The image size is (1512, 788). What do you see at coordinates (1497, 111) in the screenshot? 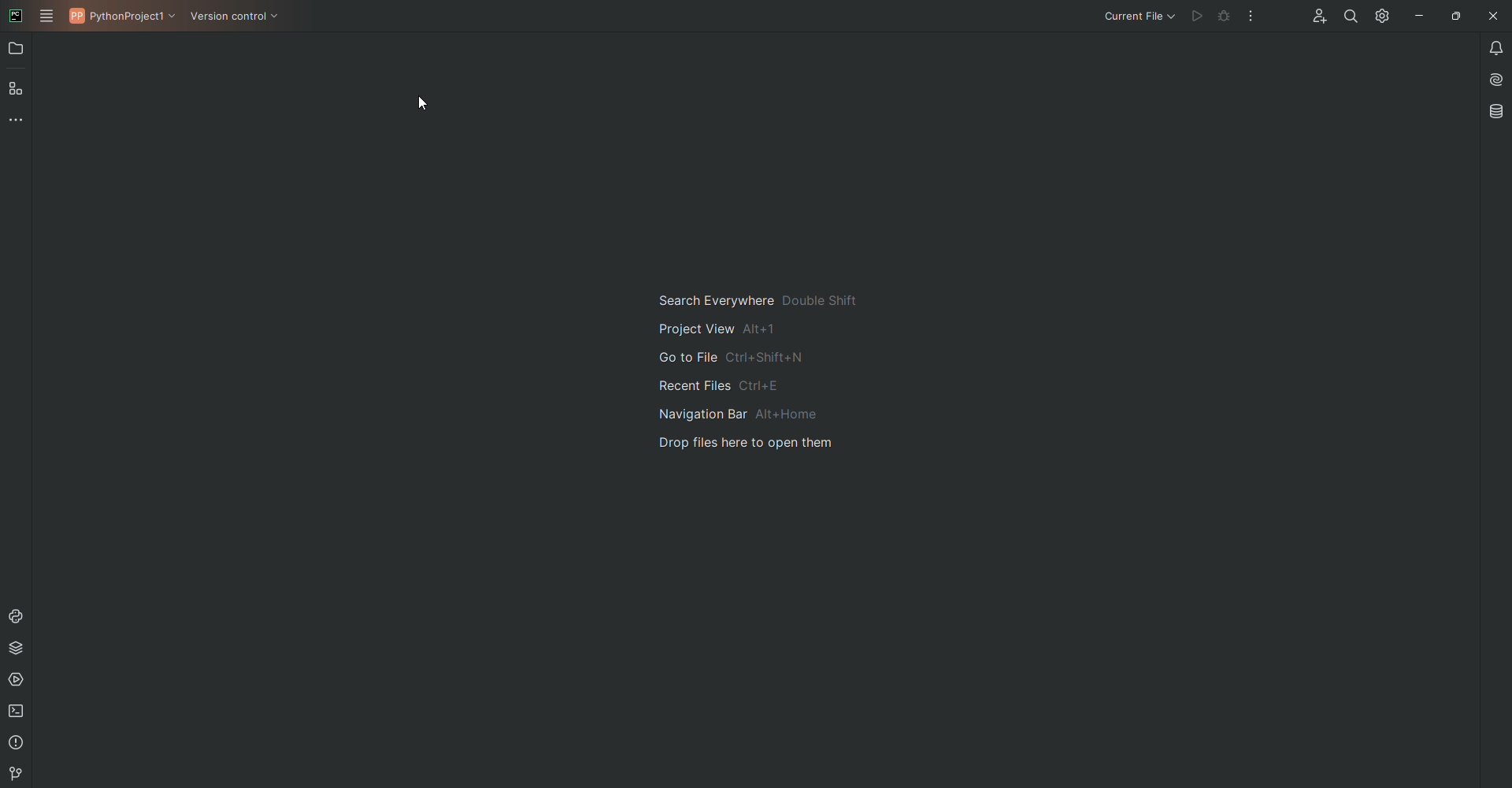
I see `Database` at bounding box center [1497, 111].